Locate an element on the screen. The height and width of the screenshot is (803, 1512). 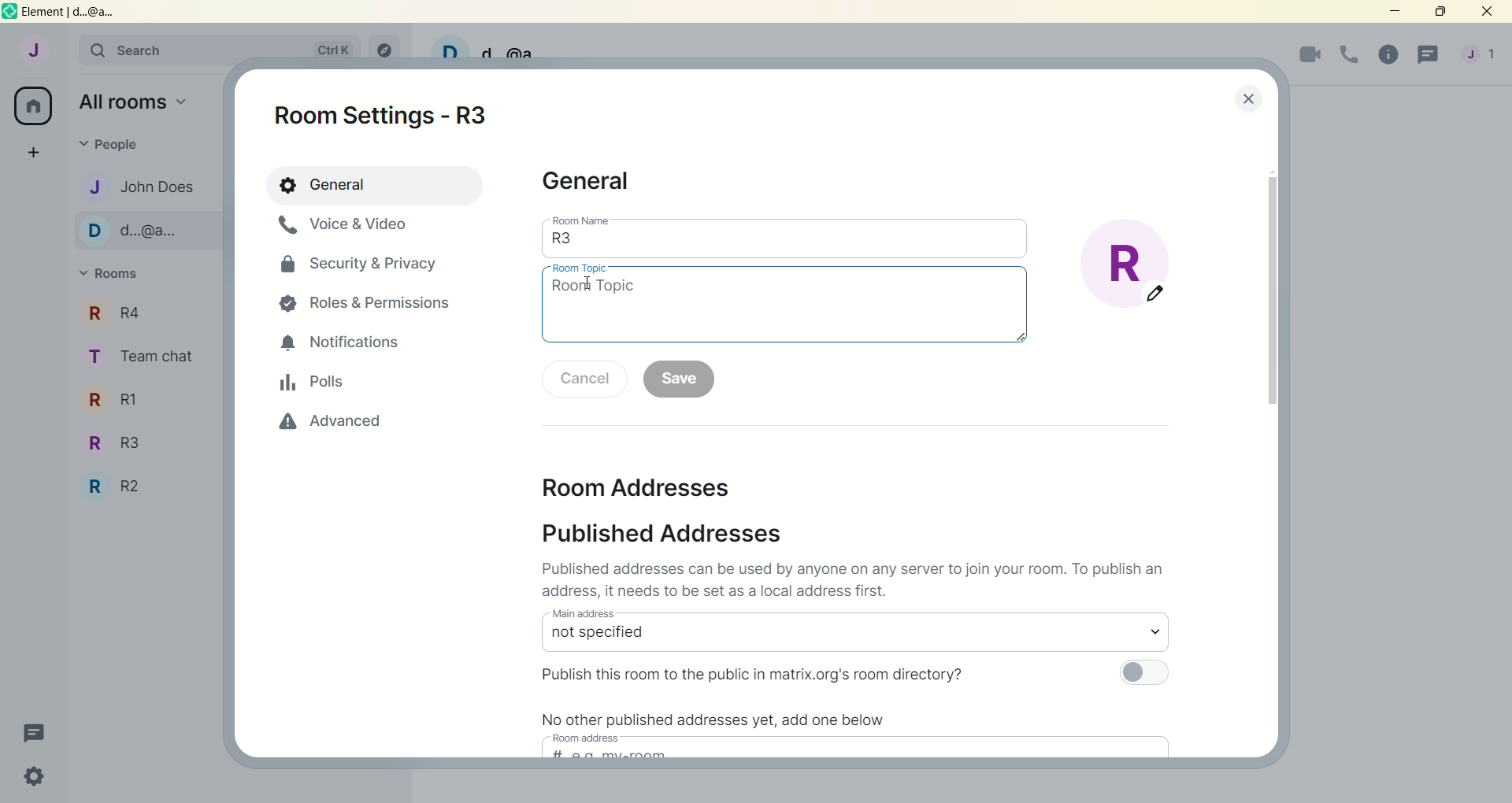
team chat is located at coordinates (142, 354).